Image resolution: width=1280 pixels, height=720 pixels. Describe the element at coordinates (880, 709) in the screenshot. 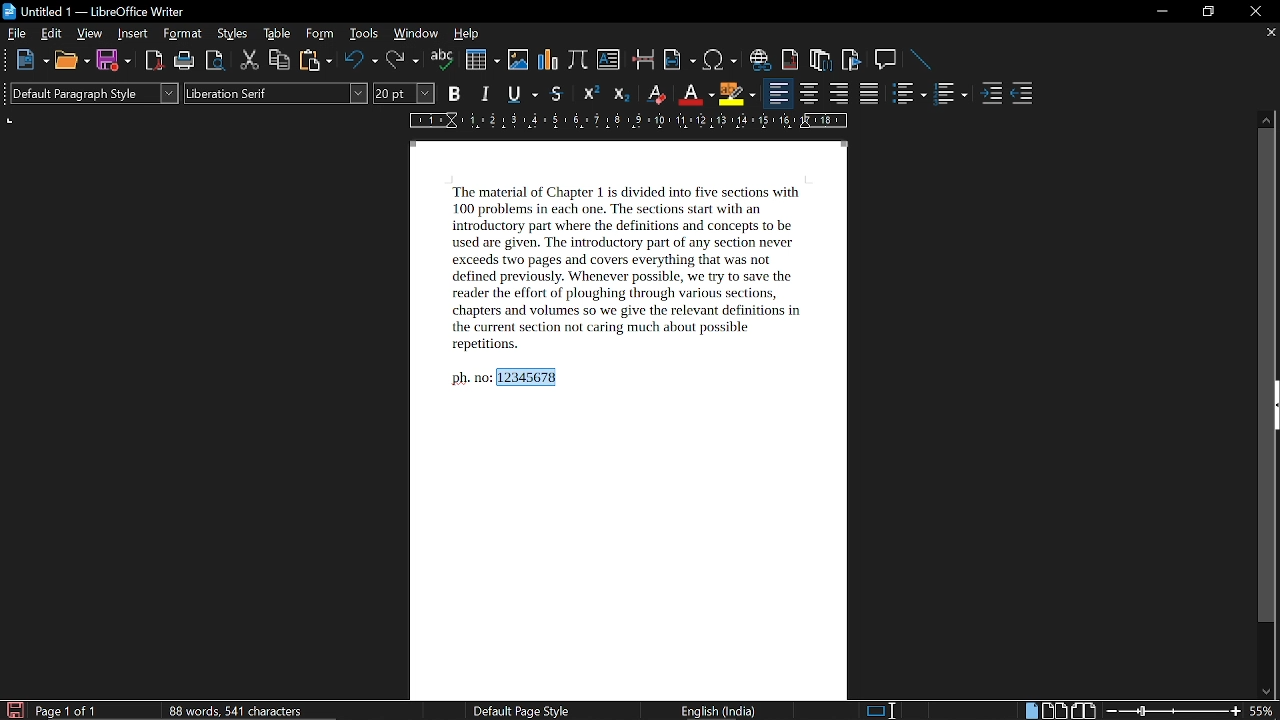

I see `standard selection` at that location.